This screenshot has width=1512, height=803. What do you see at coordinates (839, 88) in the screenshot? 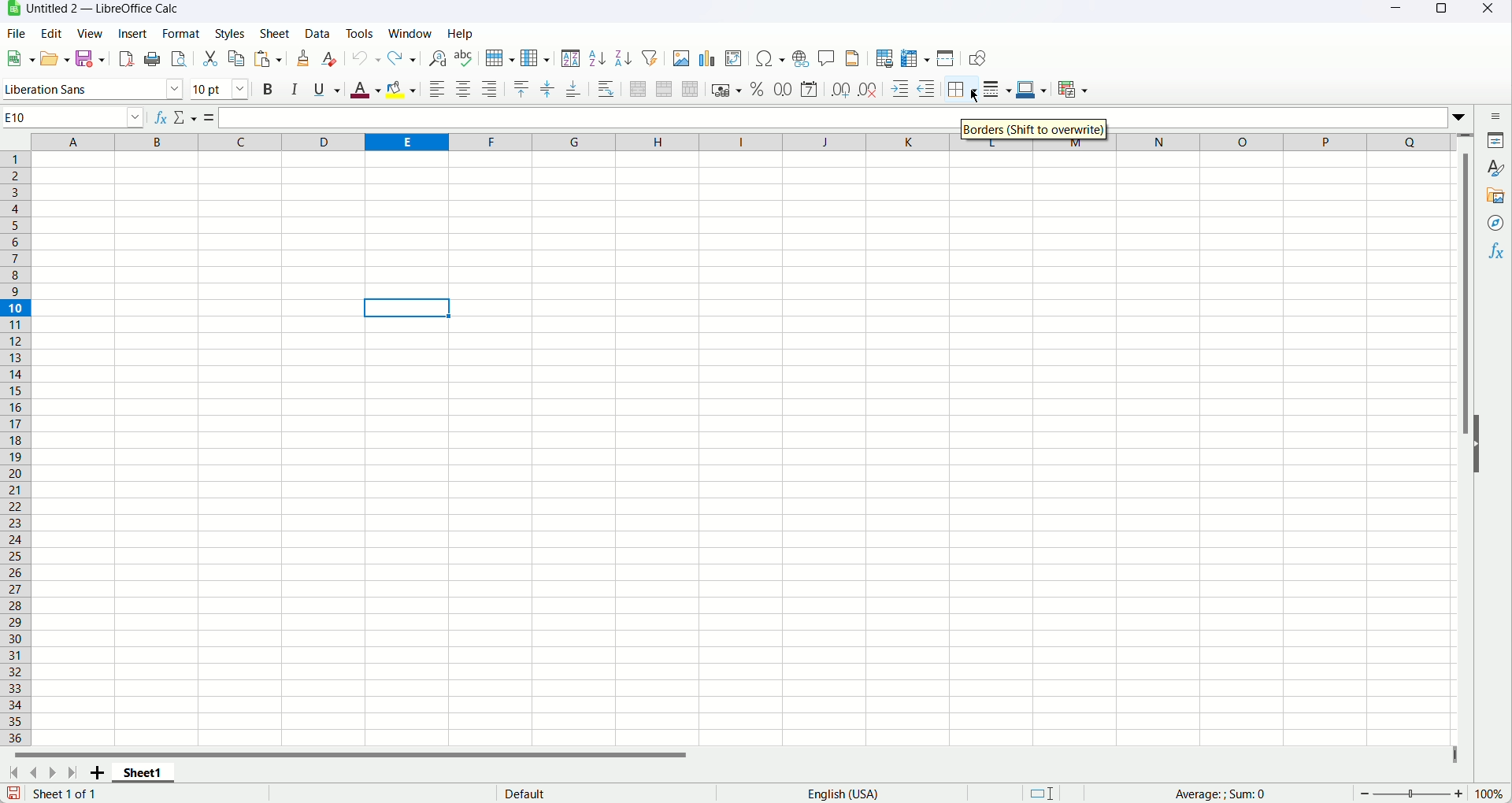
I see `Add decimal place` at bounding box center [839, 88].